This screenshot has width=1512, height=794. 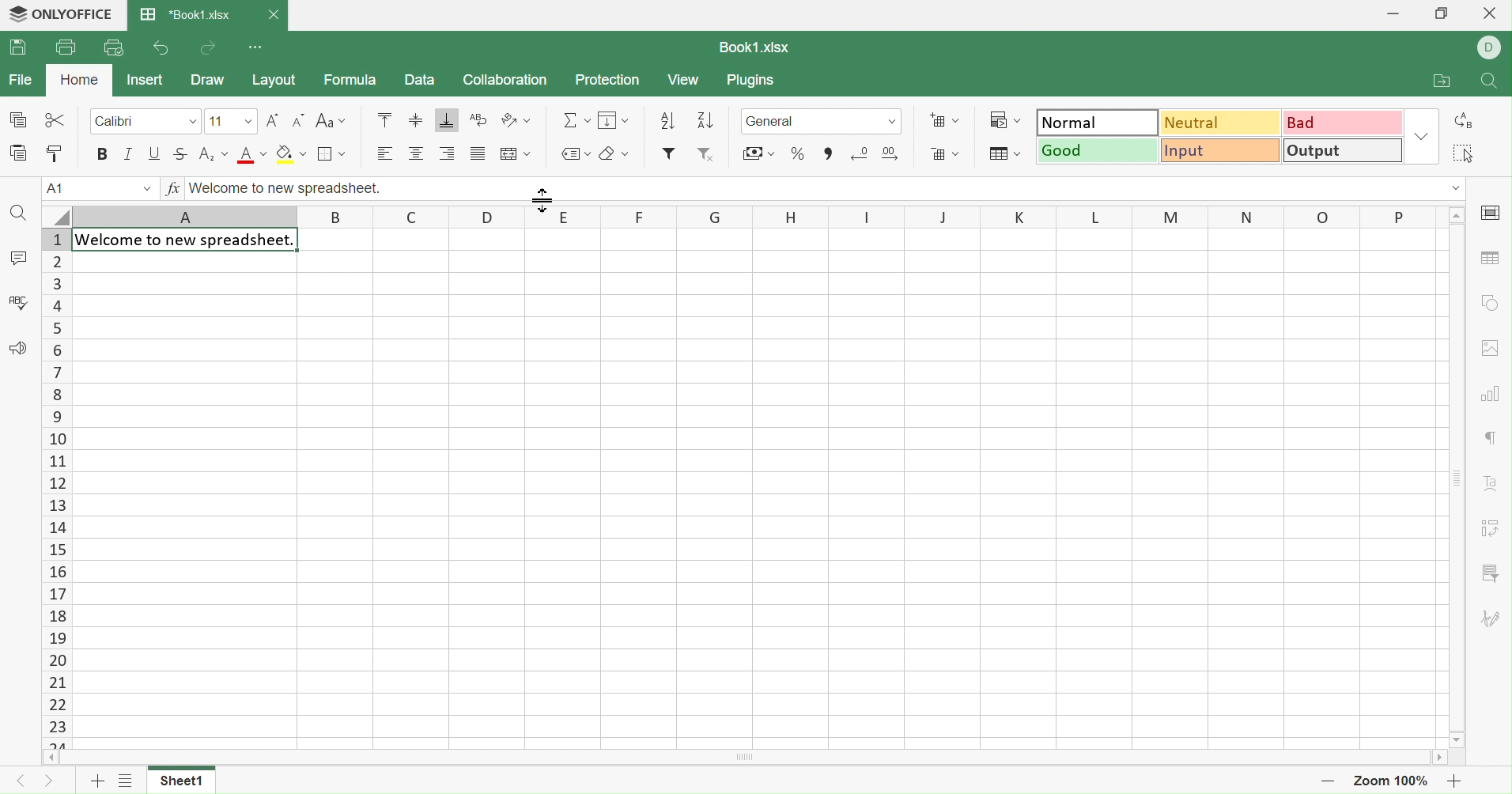 I want to click on Cursor, so click(x=541, y=198).